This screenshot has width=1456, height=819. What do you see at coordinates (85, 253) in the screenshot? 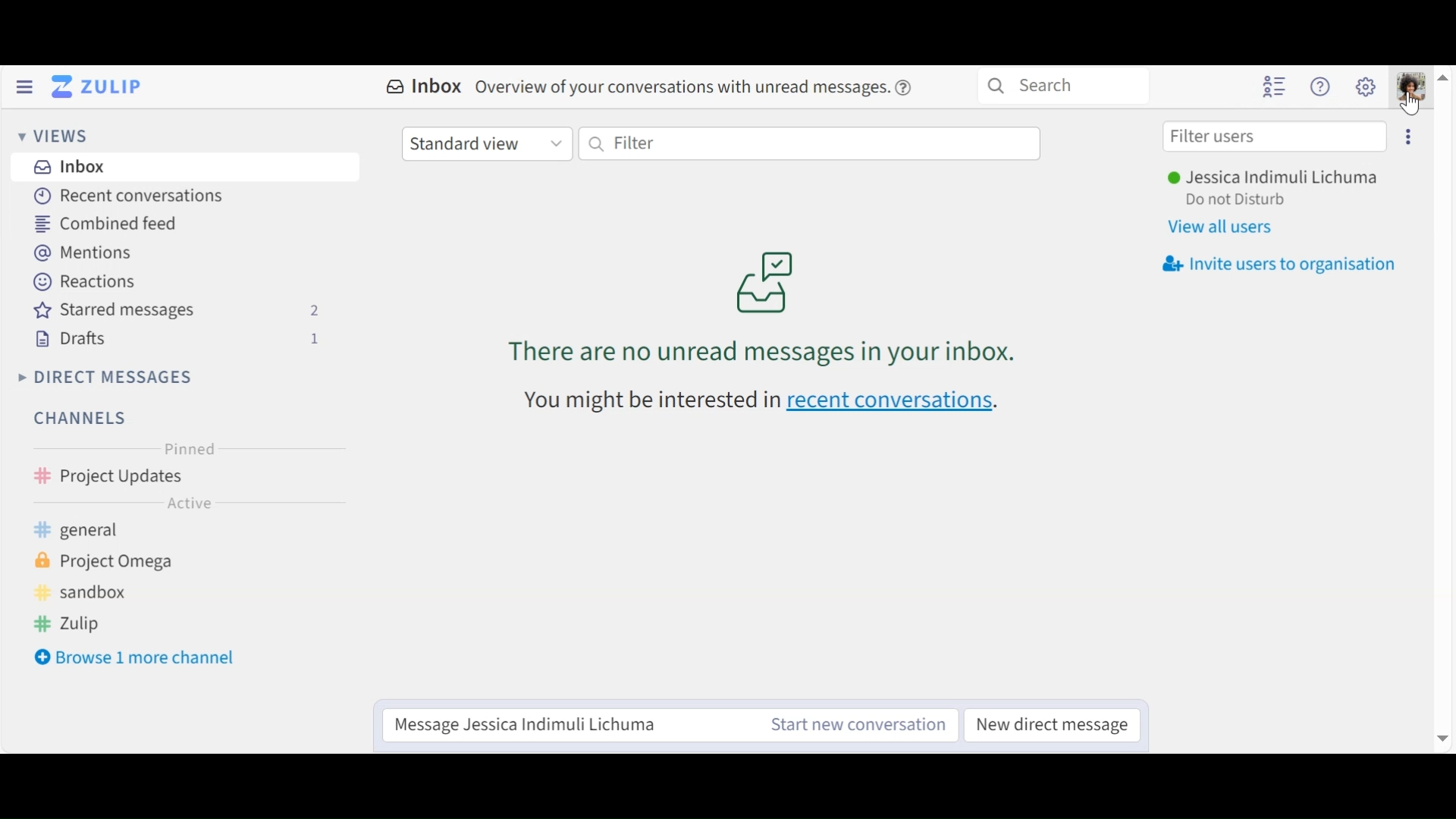
I see `Mentions` at bounding box center [85, 253].